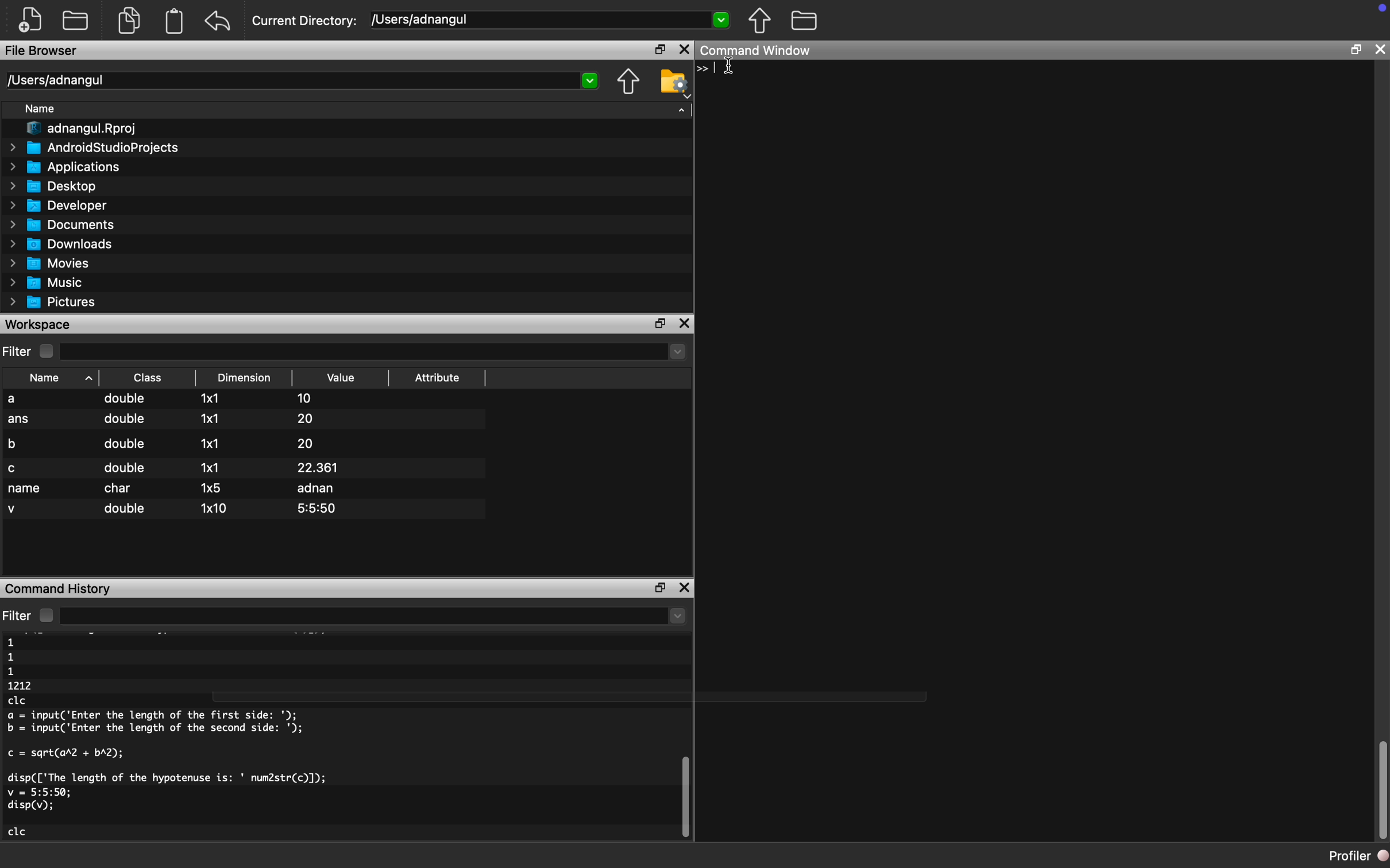  What do you see at coordinates (128, 444) in the screenshot?
I see `double` at bounding box center [128, 444].